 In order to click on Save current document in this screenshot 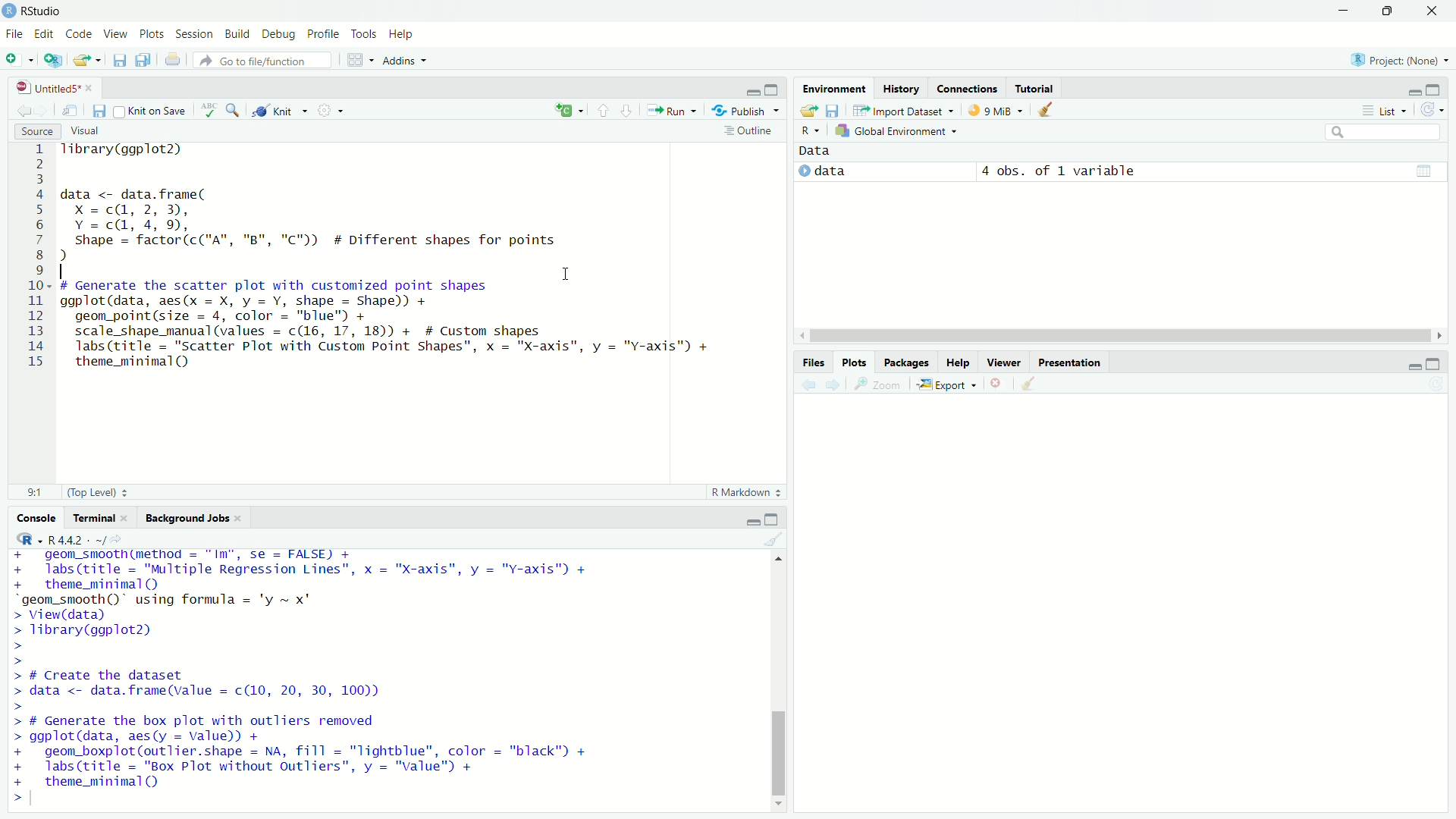, I will do `click(119, 60)`.